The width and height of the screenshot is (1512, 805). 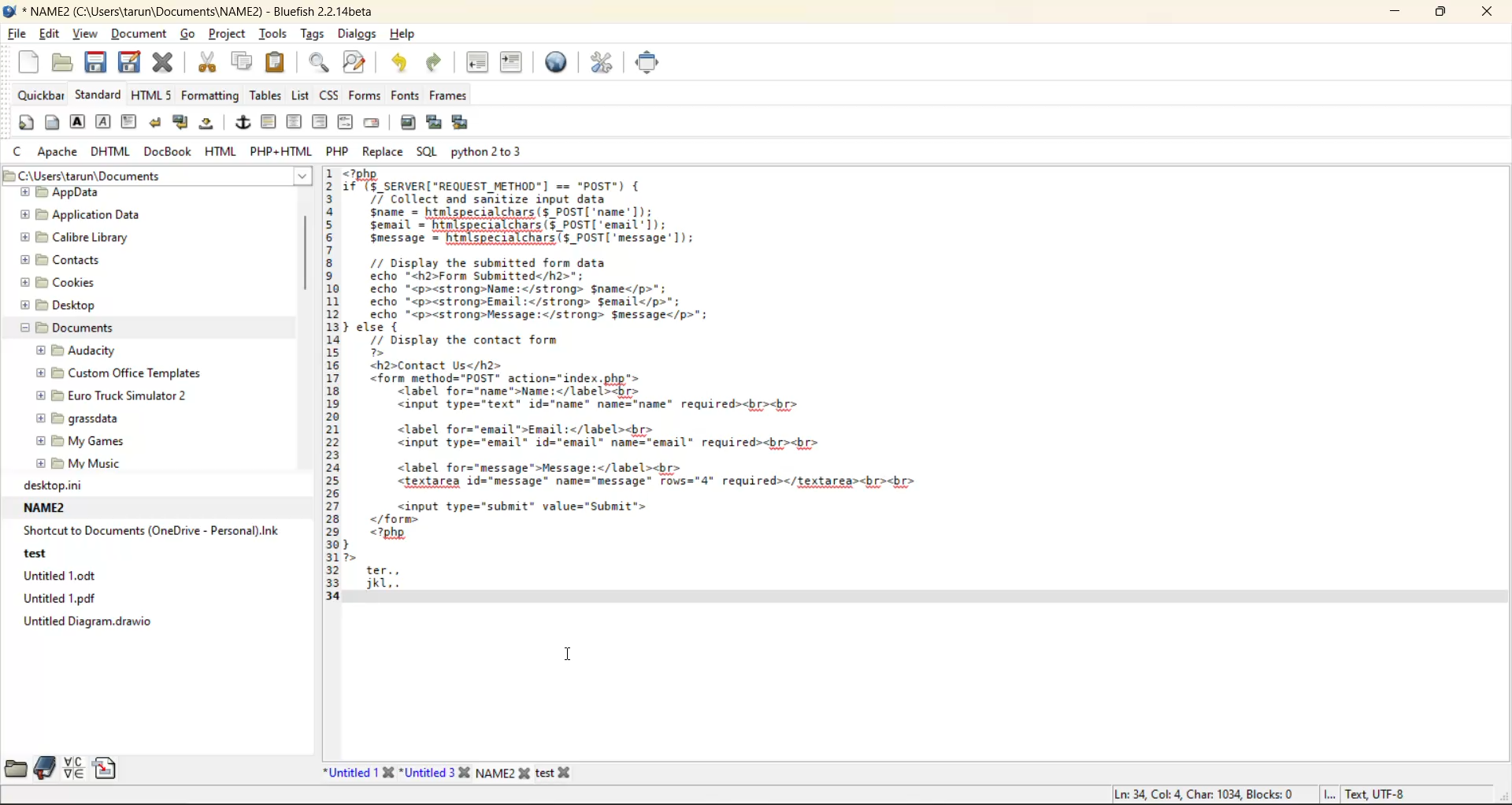 I want to click on save as, so click(x=128, y=62).